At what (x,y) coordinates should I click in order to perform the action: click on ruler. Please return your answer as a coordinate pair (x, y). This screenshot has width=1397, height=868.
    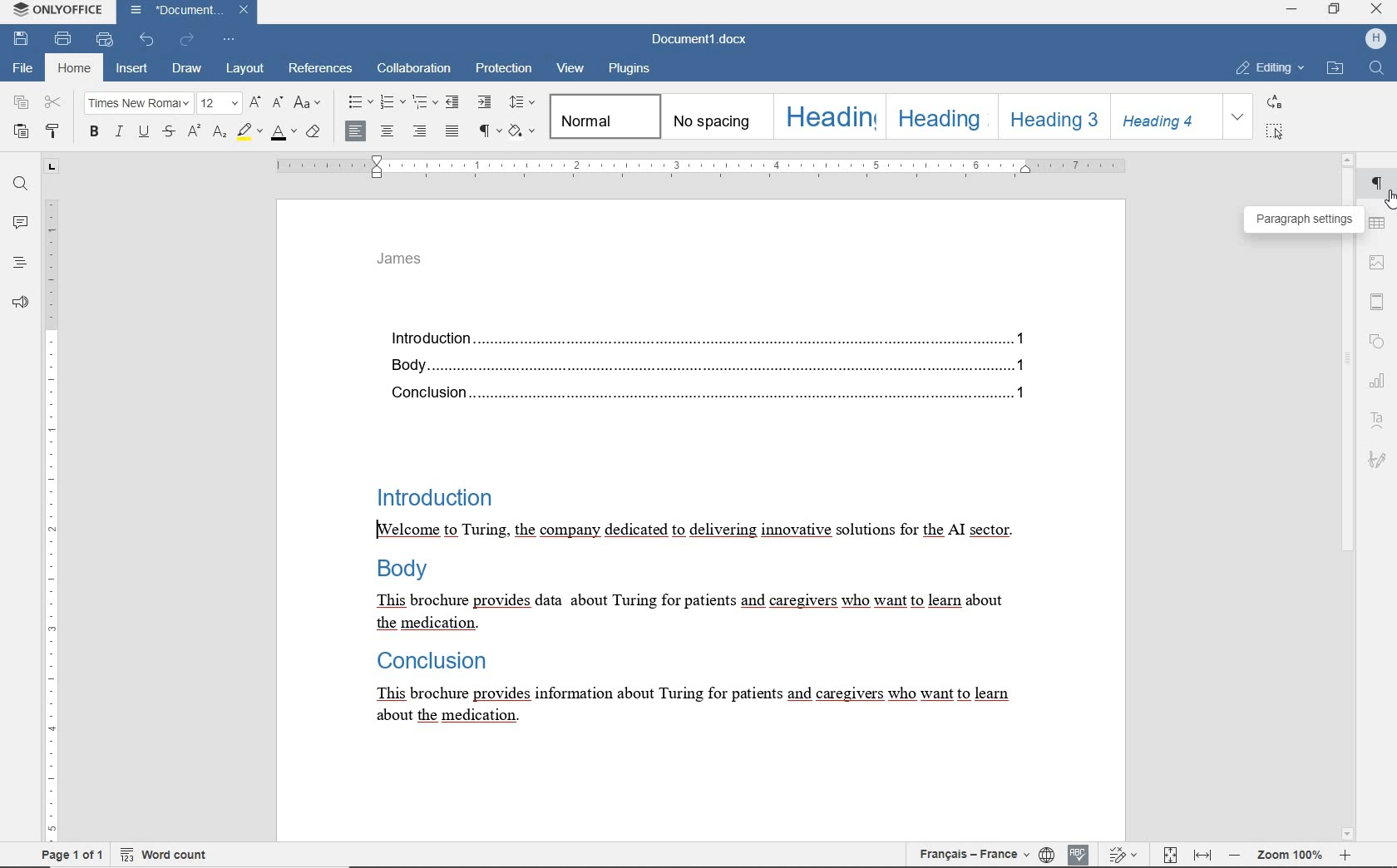
    Looking at the image, I should click on (693, 167).